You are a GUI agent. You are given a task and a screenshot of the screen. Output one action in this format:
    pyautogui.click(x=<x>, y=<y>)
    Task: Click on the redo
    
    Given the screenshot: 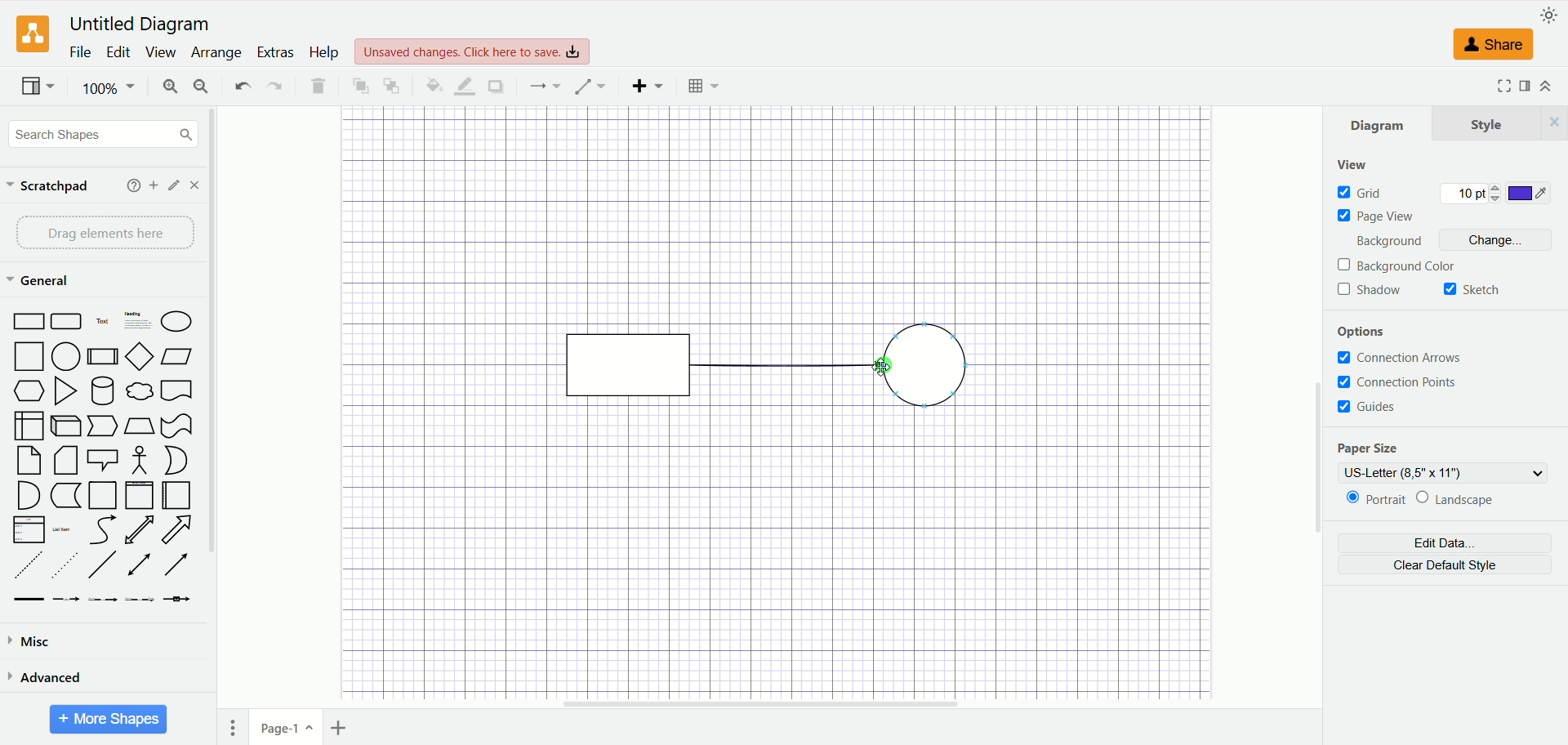 What is the action you would take?
    pyautogui.click(x=274, y=86)
    